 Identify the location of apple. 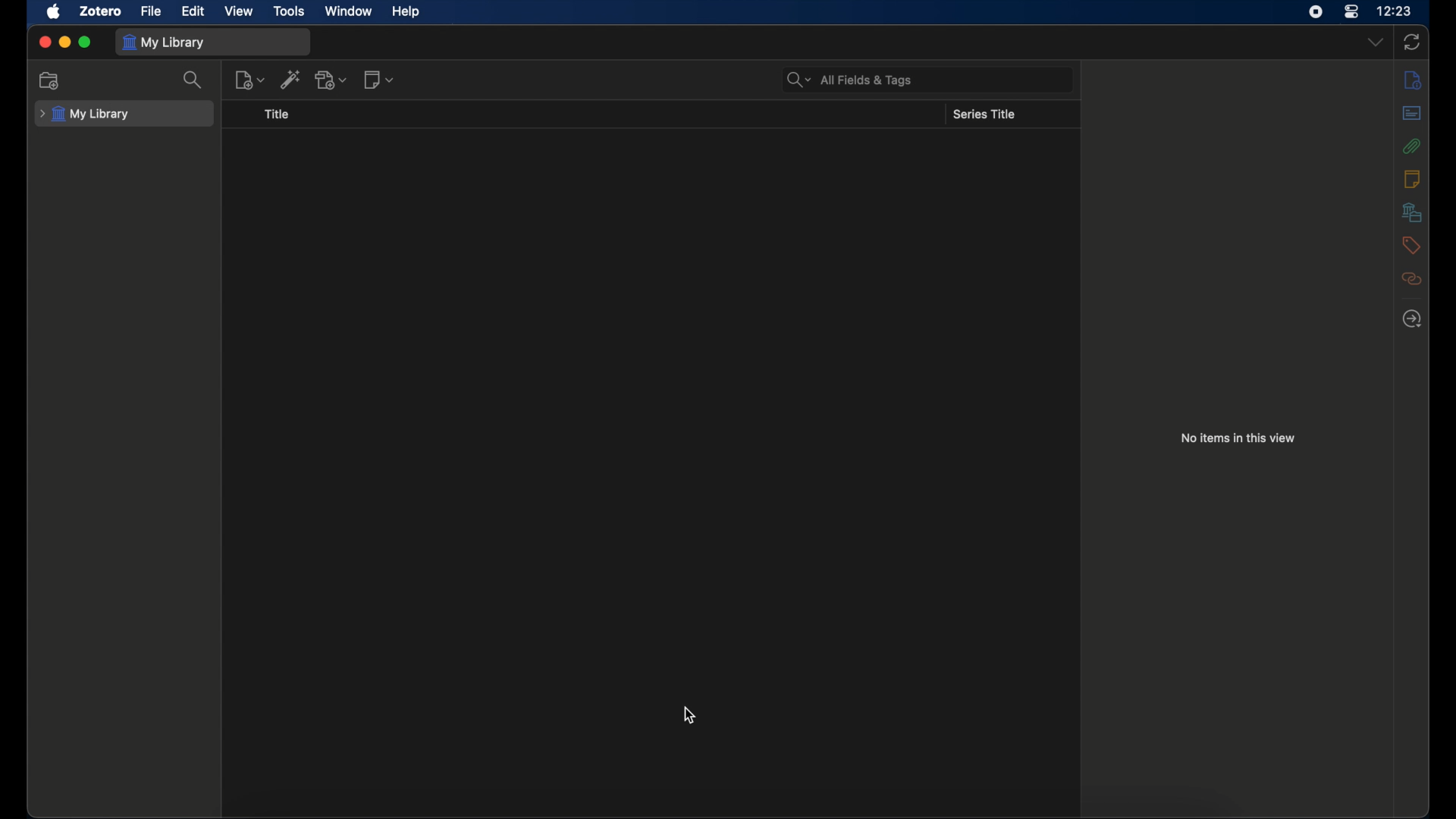
(54, 12).